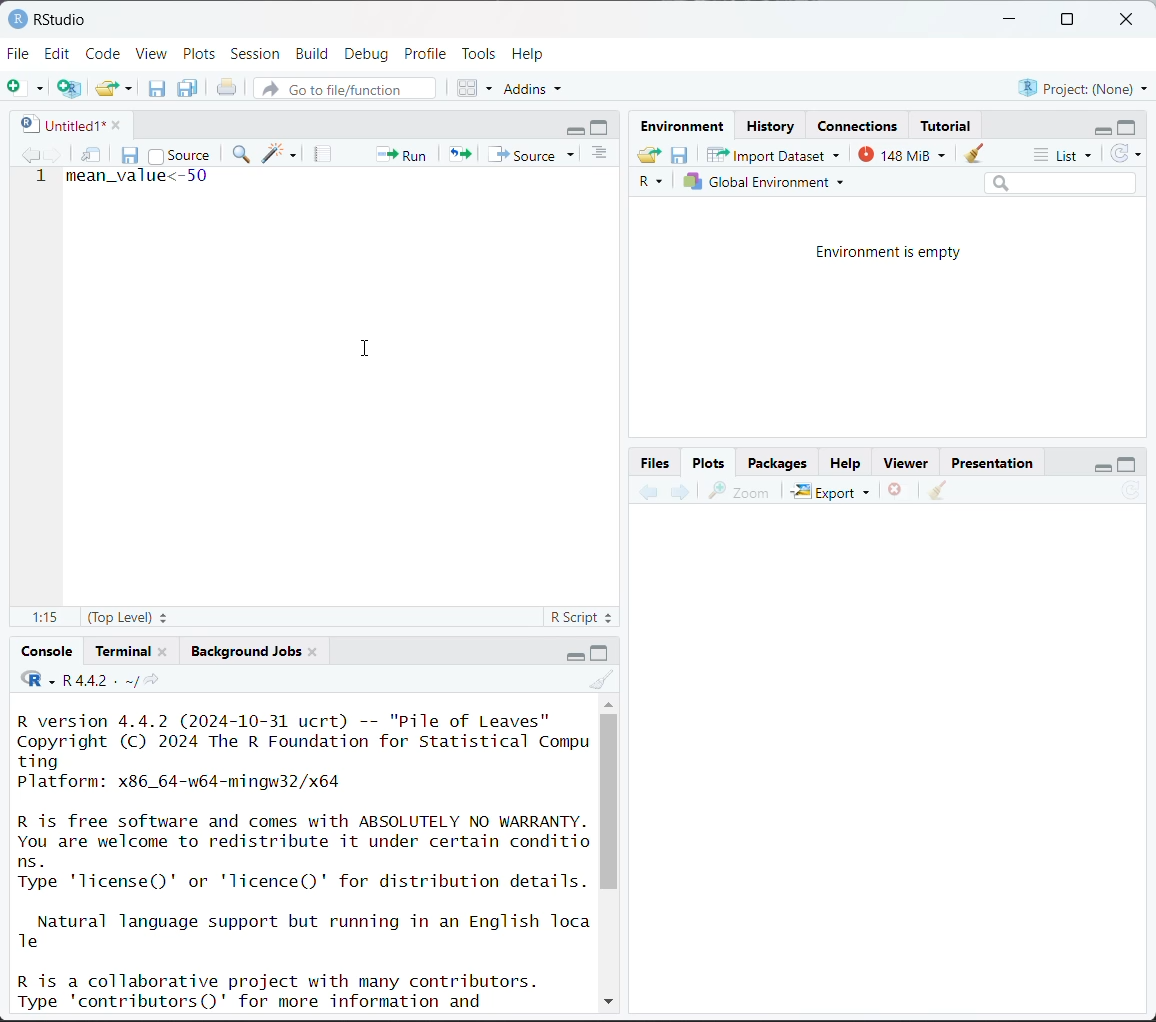 The height and width of the screenshot is (1022, 1156). What do you see at coordinates (832, 491) in the screenshot?
I see `Export` at bounding box center [832, 491].